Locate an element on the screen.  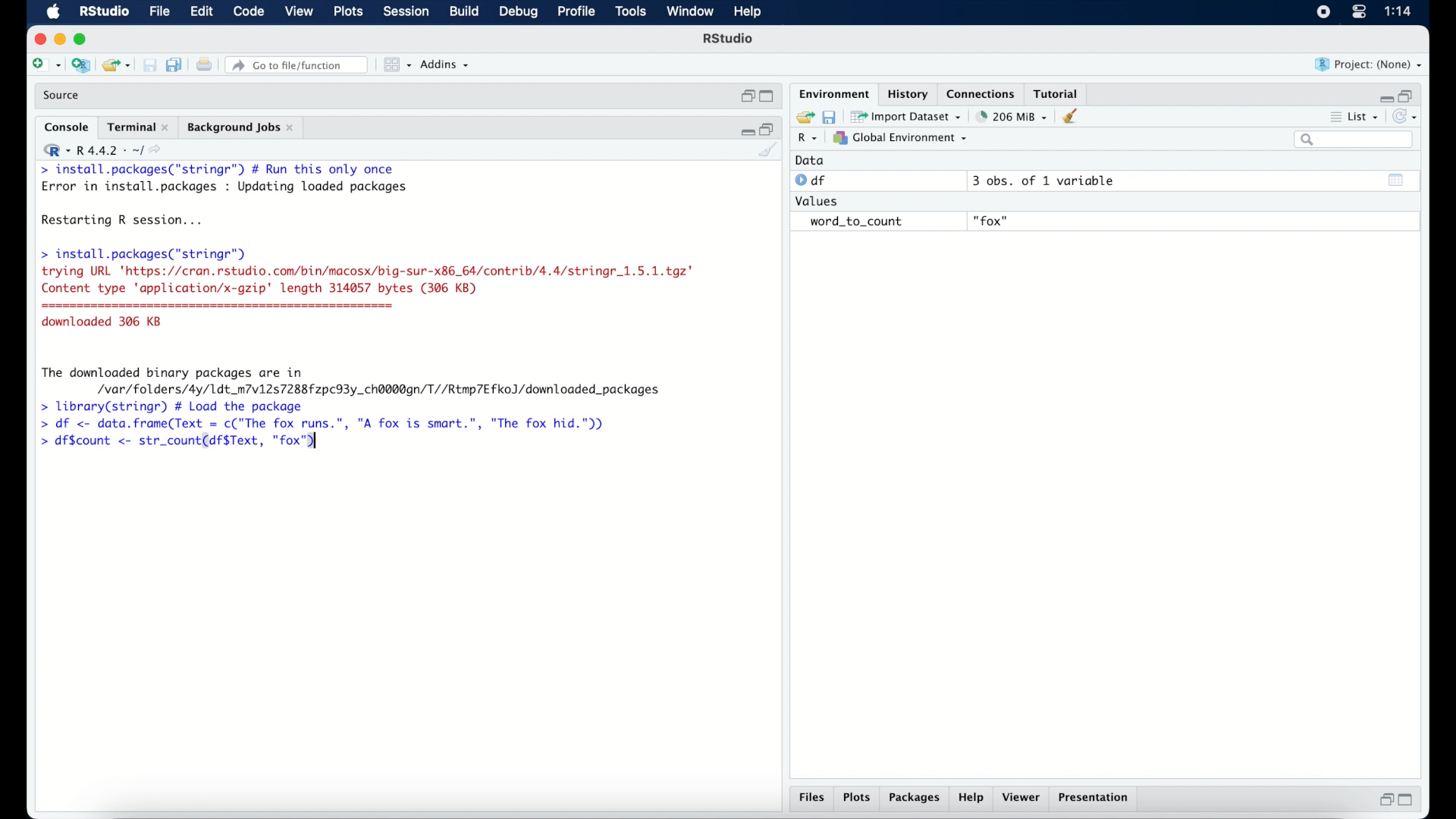
save is located at coordinates (831, 116).